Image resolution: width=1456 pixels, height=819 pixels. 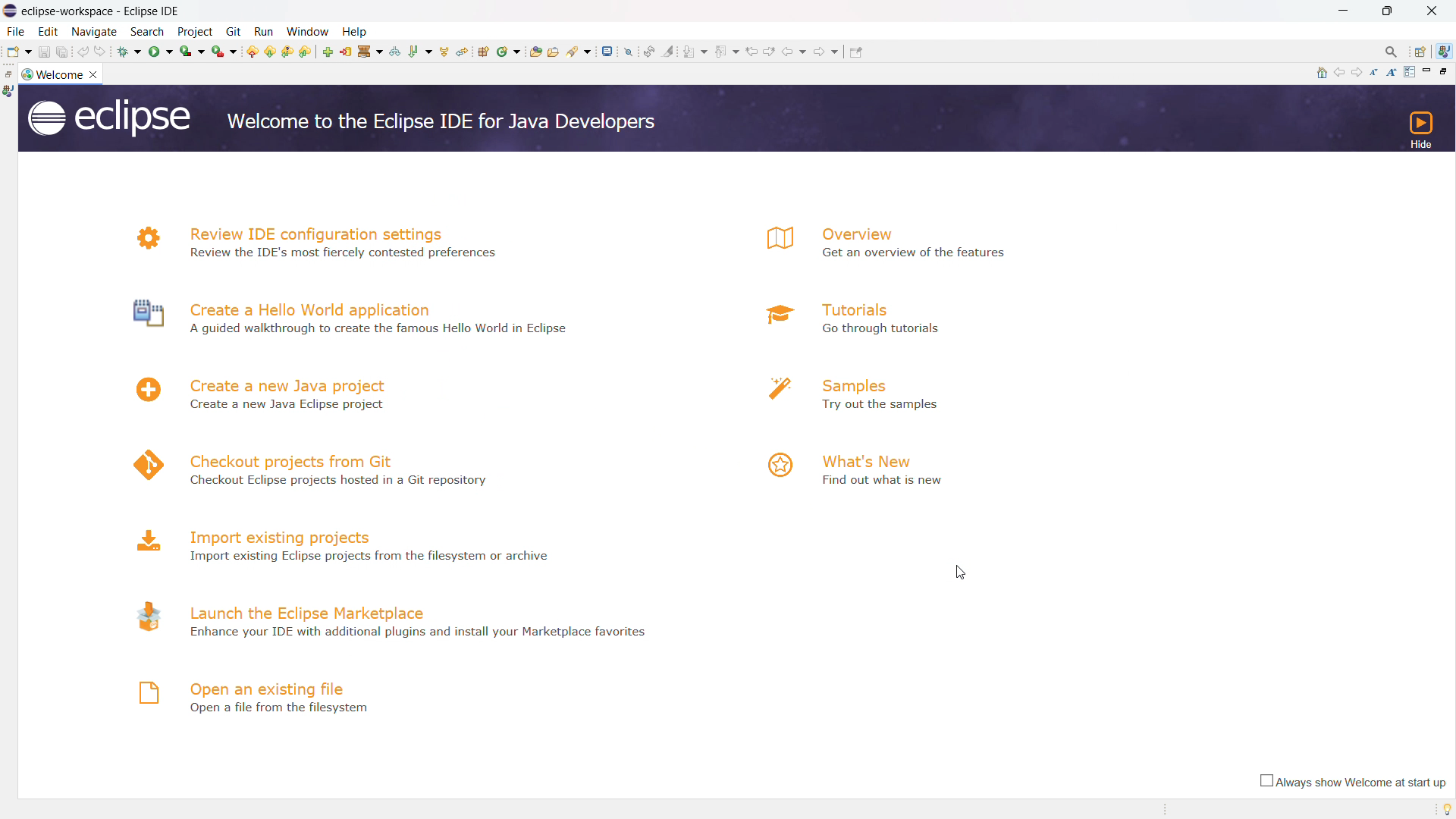 I want to click on previous annotation, so click(x=494, y=52).